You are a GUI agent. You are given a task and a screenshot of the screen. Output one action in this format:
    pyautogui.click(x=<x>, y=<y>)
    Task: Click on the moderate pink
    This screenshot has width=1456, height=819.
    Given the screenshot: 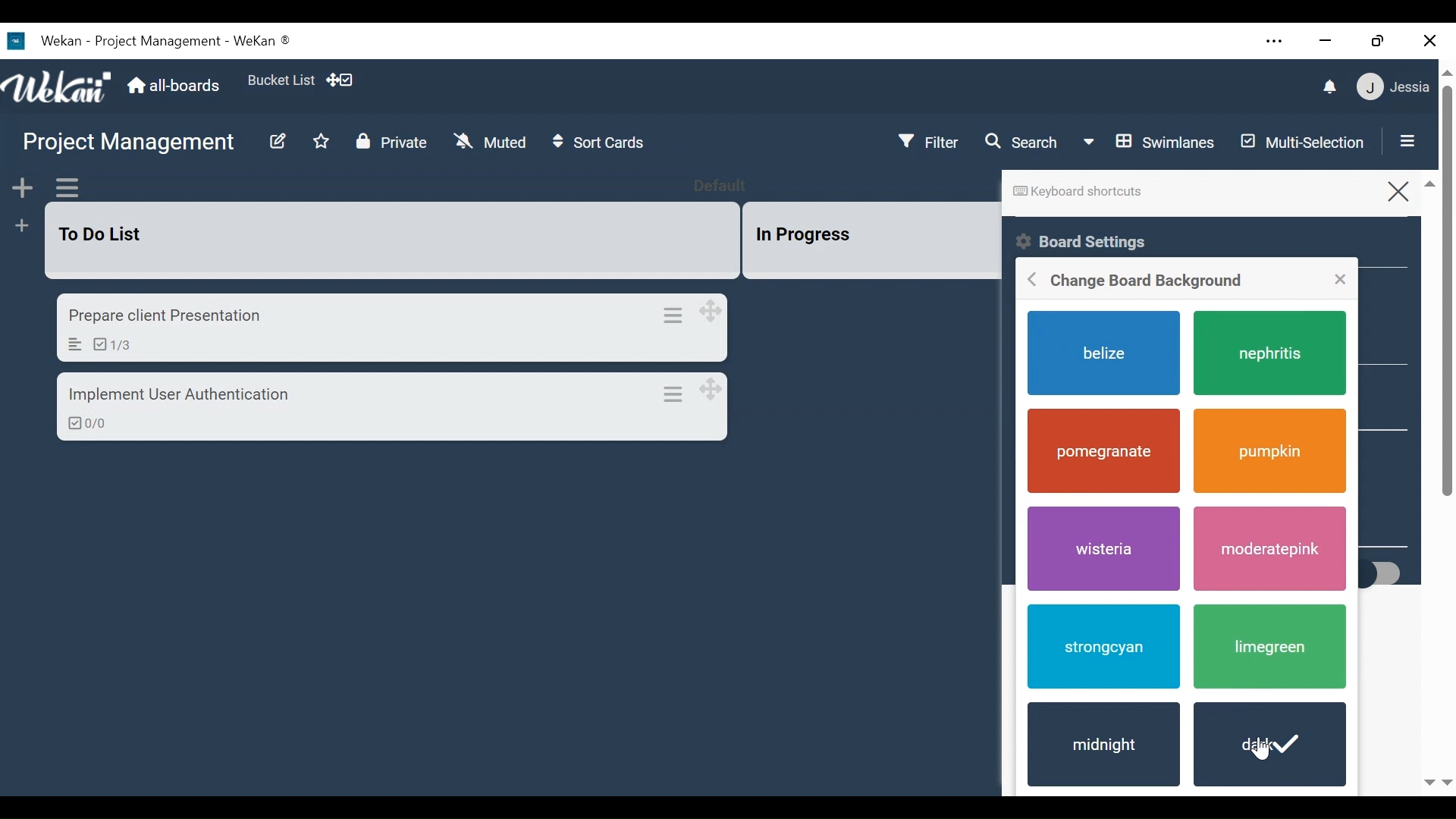 What is the action you would take?
    pyautogui.click(x=1270, y=549)
    